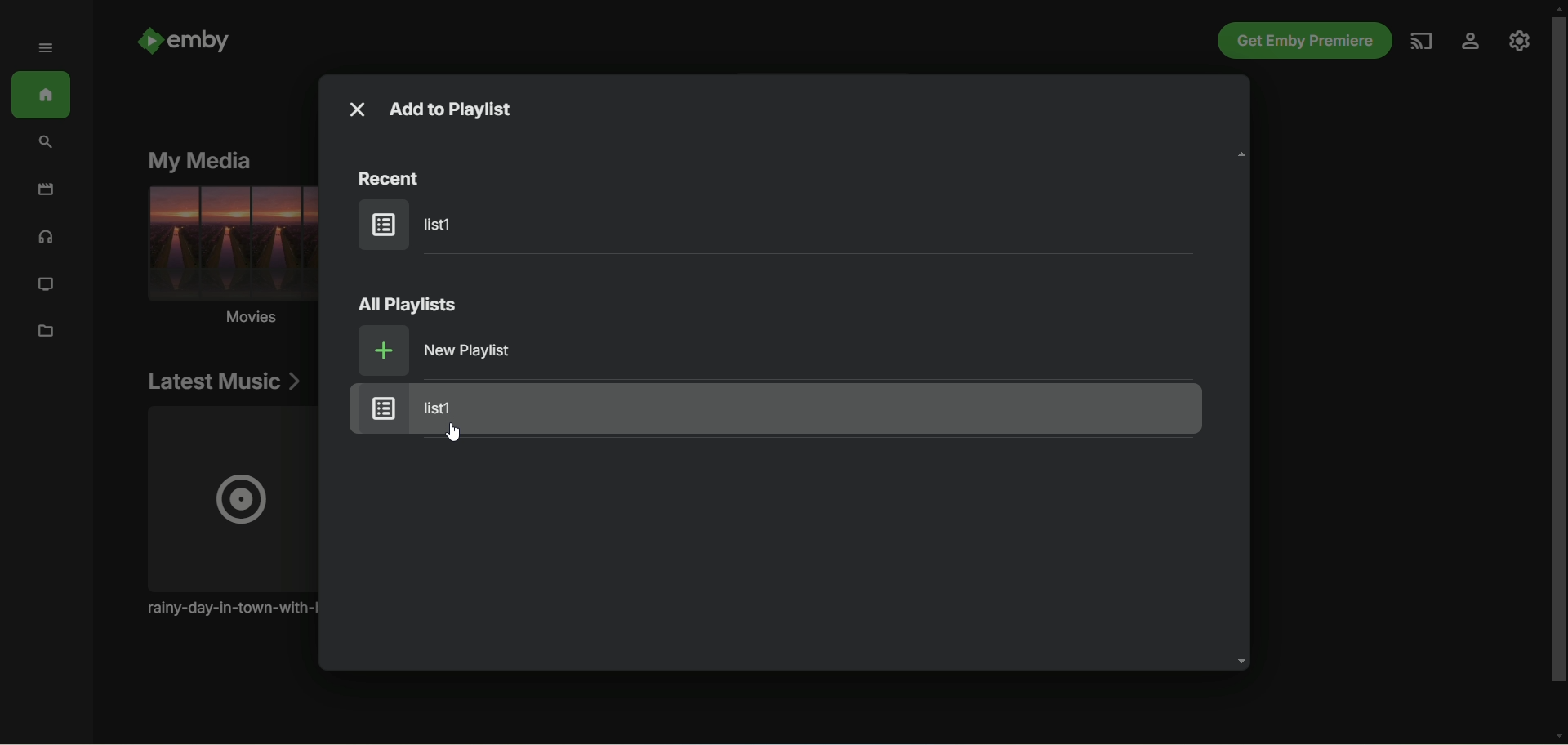  I want to click on Cursor, so click(453, 431).